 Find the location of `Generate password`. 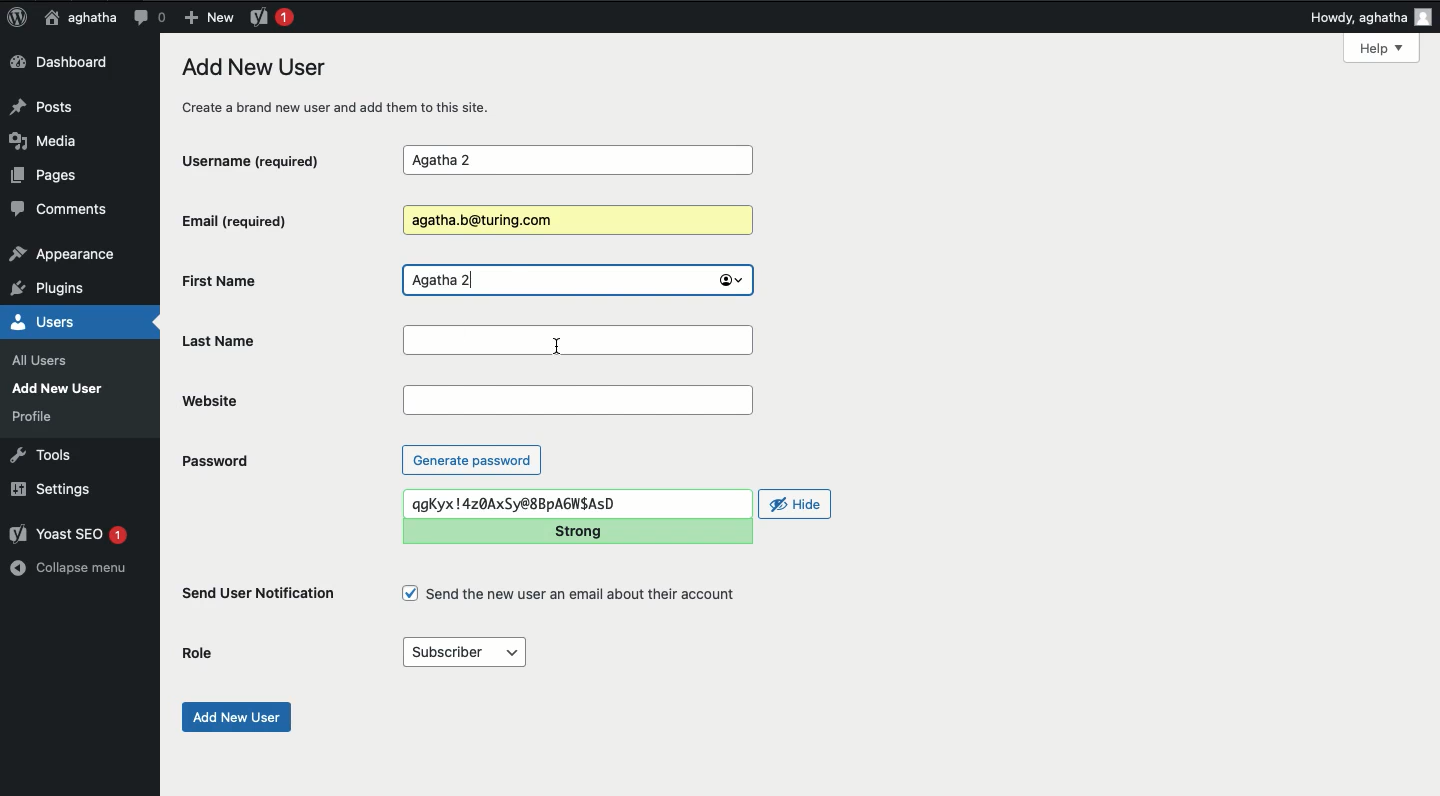

Generate password is located at coordinates (472, 459).